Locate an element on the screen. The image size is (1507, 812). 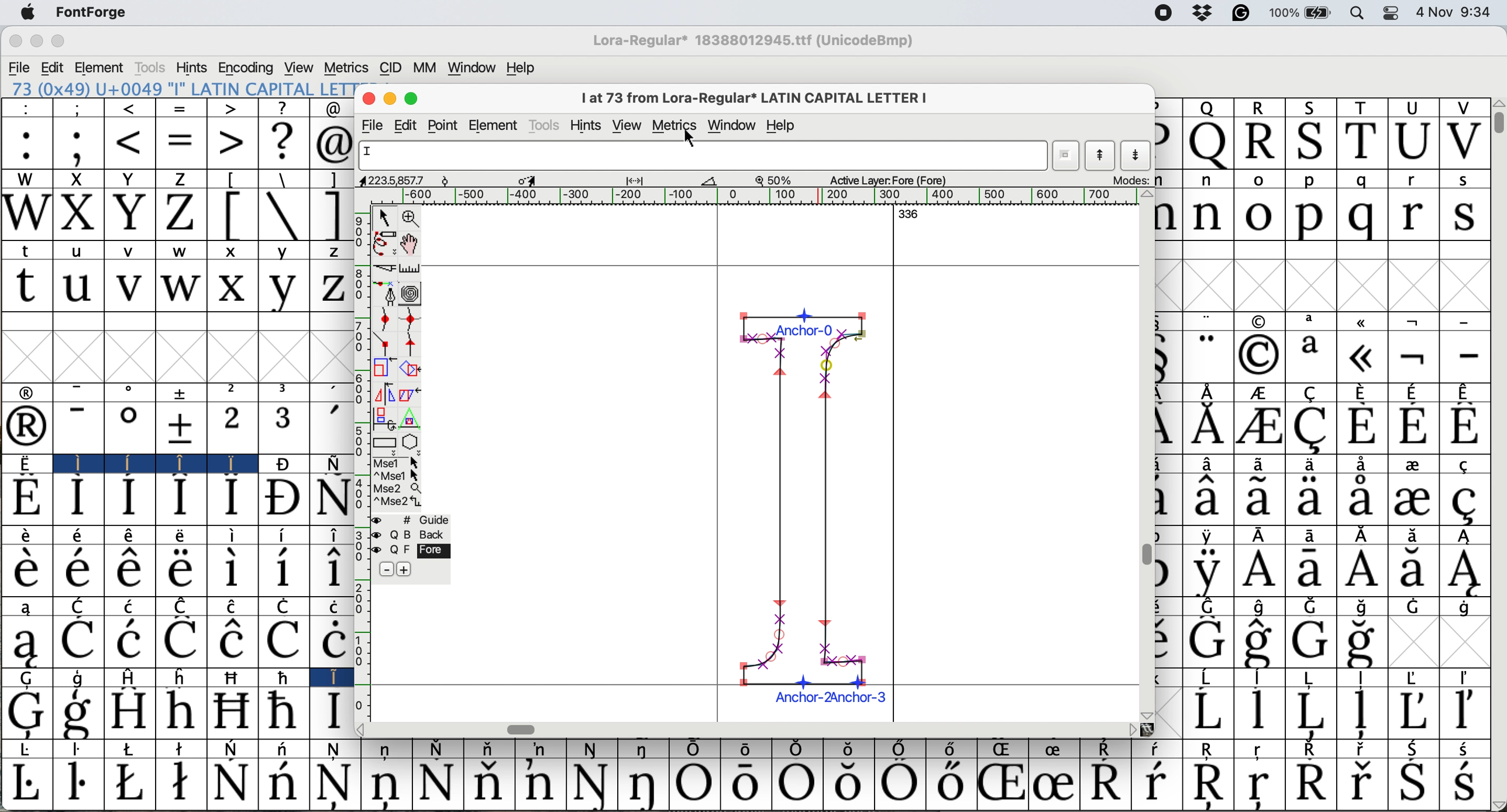
symbol is located at coordinates (1417, 319).